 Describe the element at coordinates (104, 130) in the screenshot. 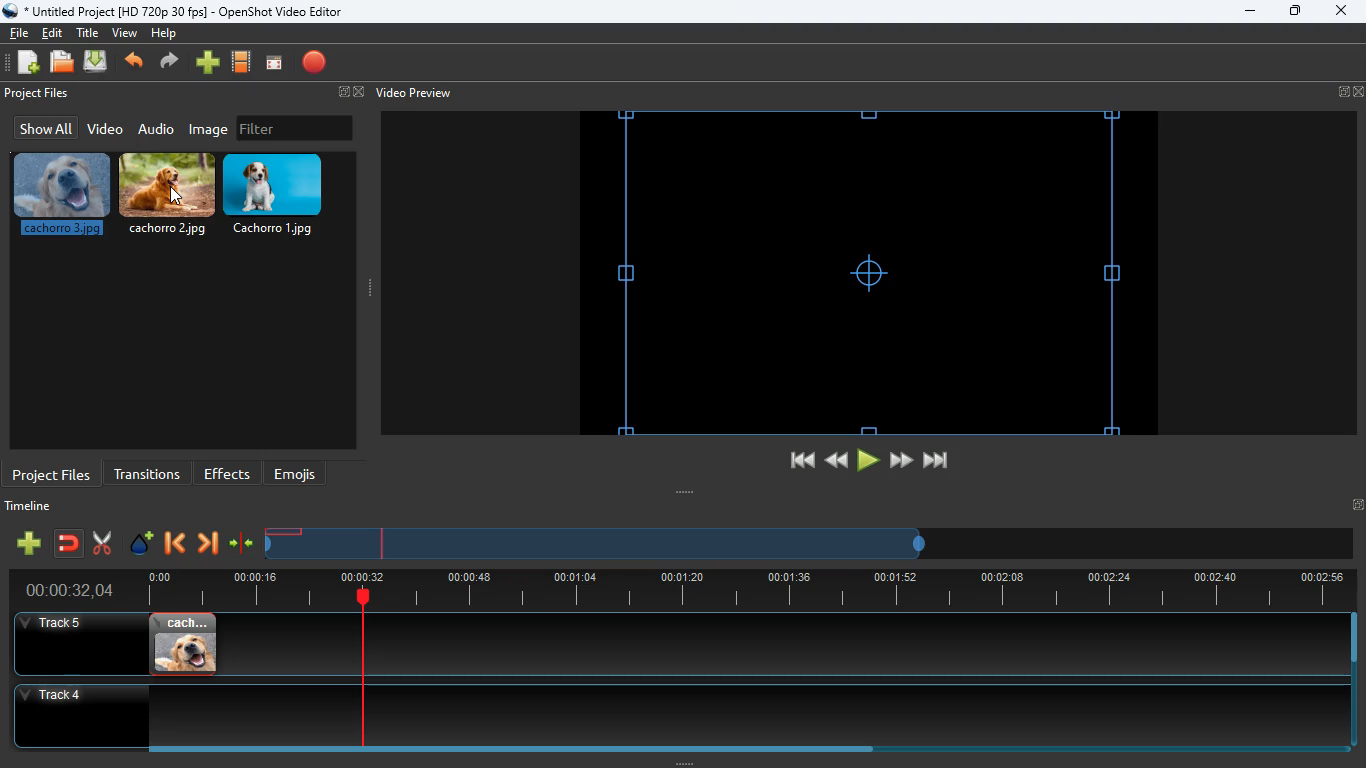

I see `video` at that location.